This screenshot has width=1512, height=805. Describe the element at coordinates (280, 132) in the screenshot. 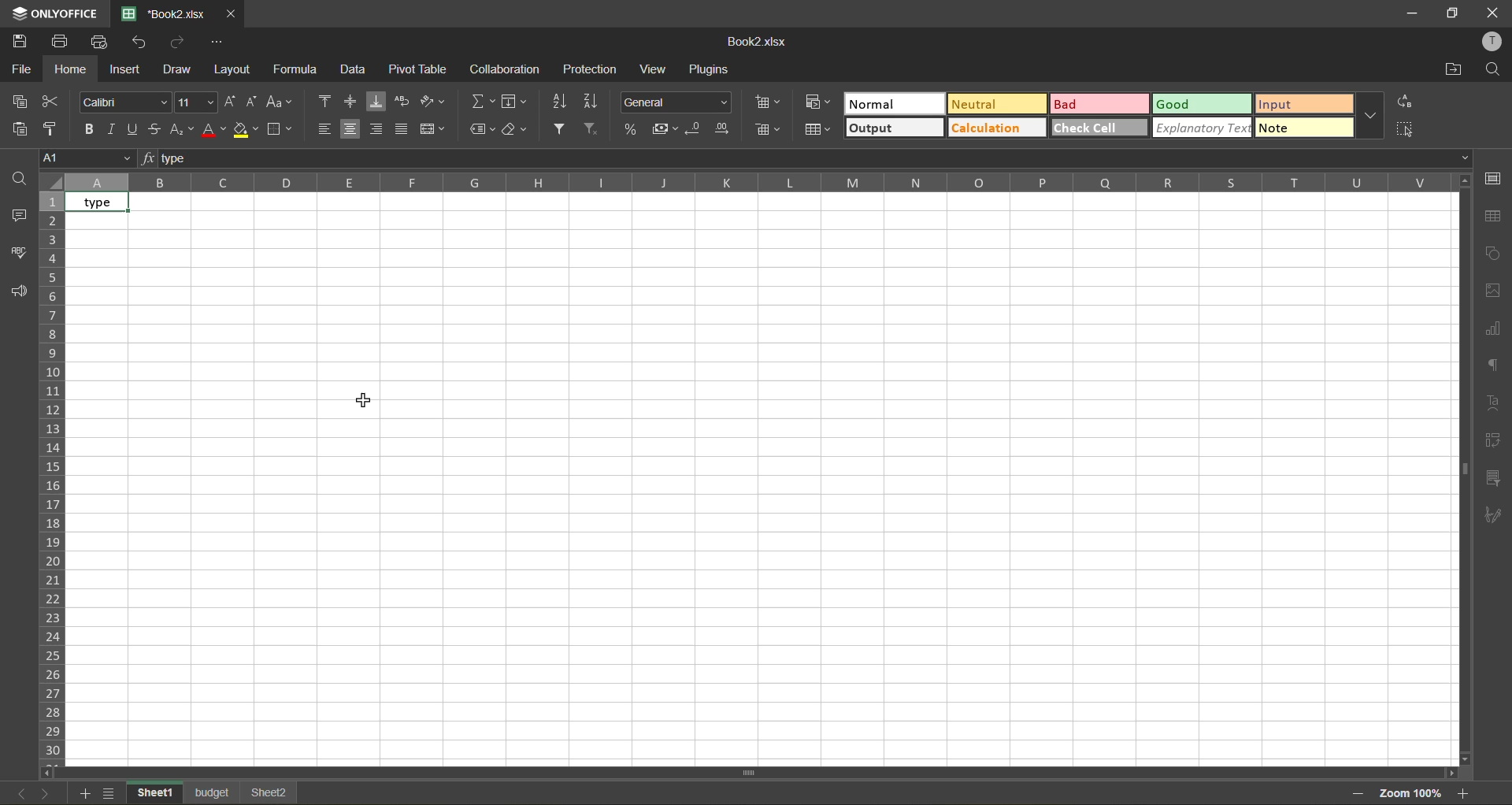

I see `borders` at that location.